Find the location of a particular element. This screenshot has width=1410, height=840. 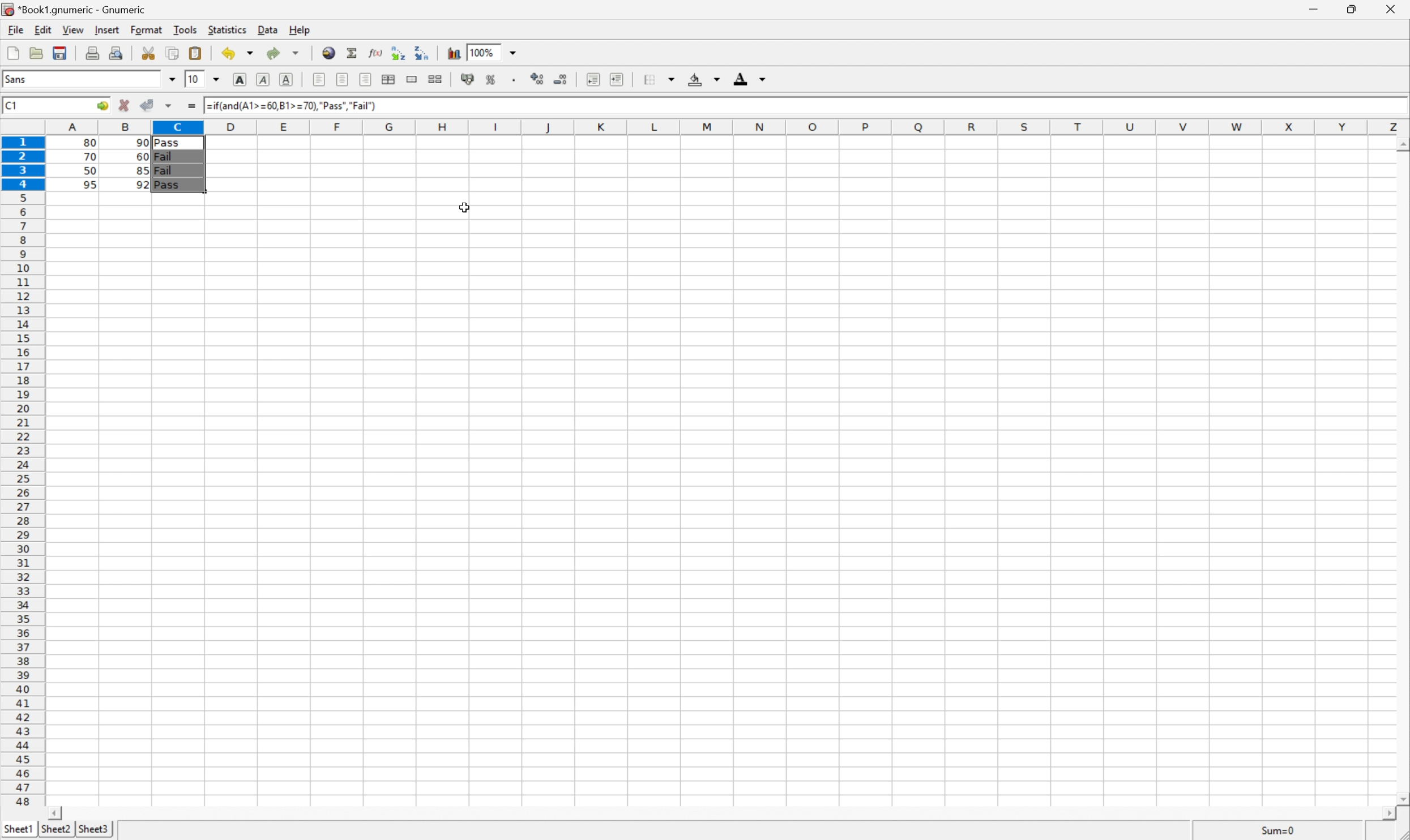

Enter formula is located at coordinates (191, 106).